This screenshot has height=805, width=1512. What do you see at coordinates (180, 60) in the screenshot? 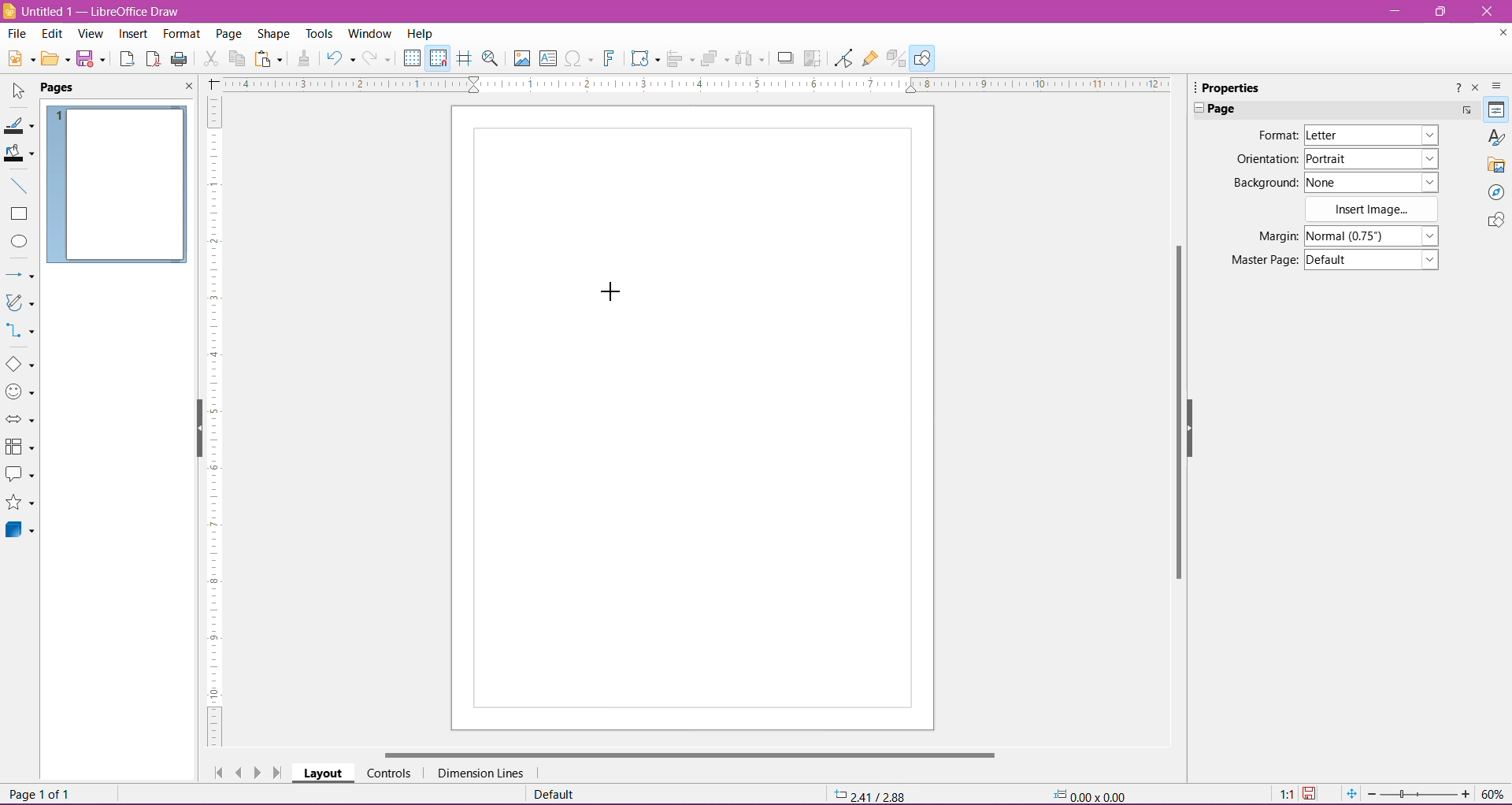
I see `Print` at bounding box center [180, 60].